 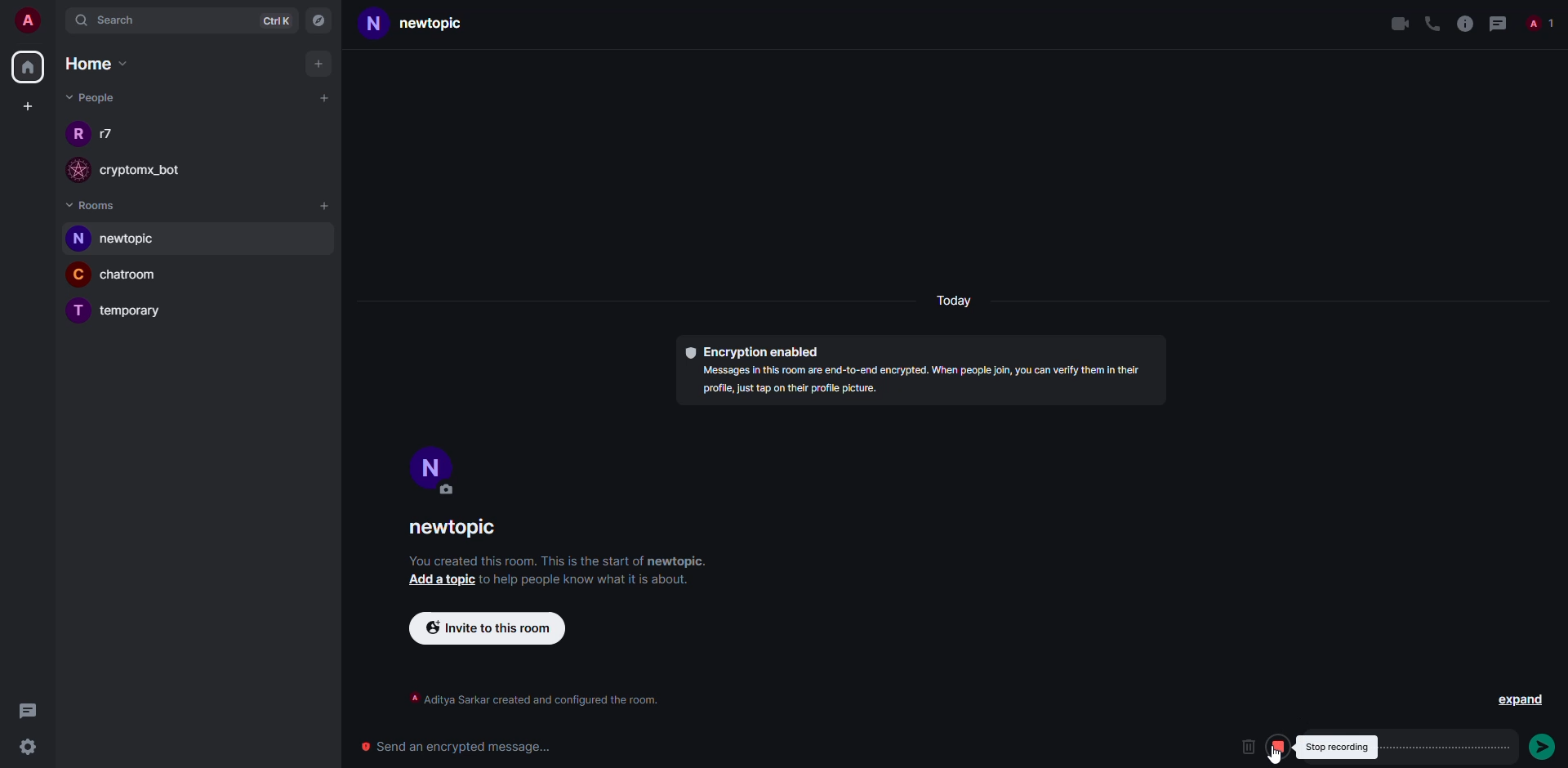 What do you see at coordinates (34, 748) in the screenshot?
I see `settings` at bounding box center [34, 748].